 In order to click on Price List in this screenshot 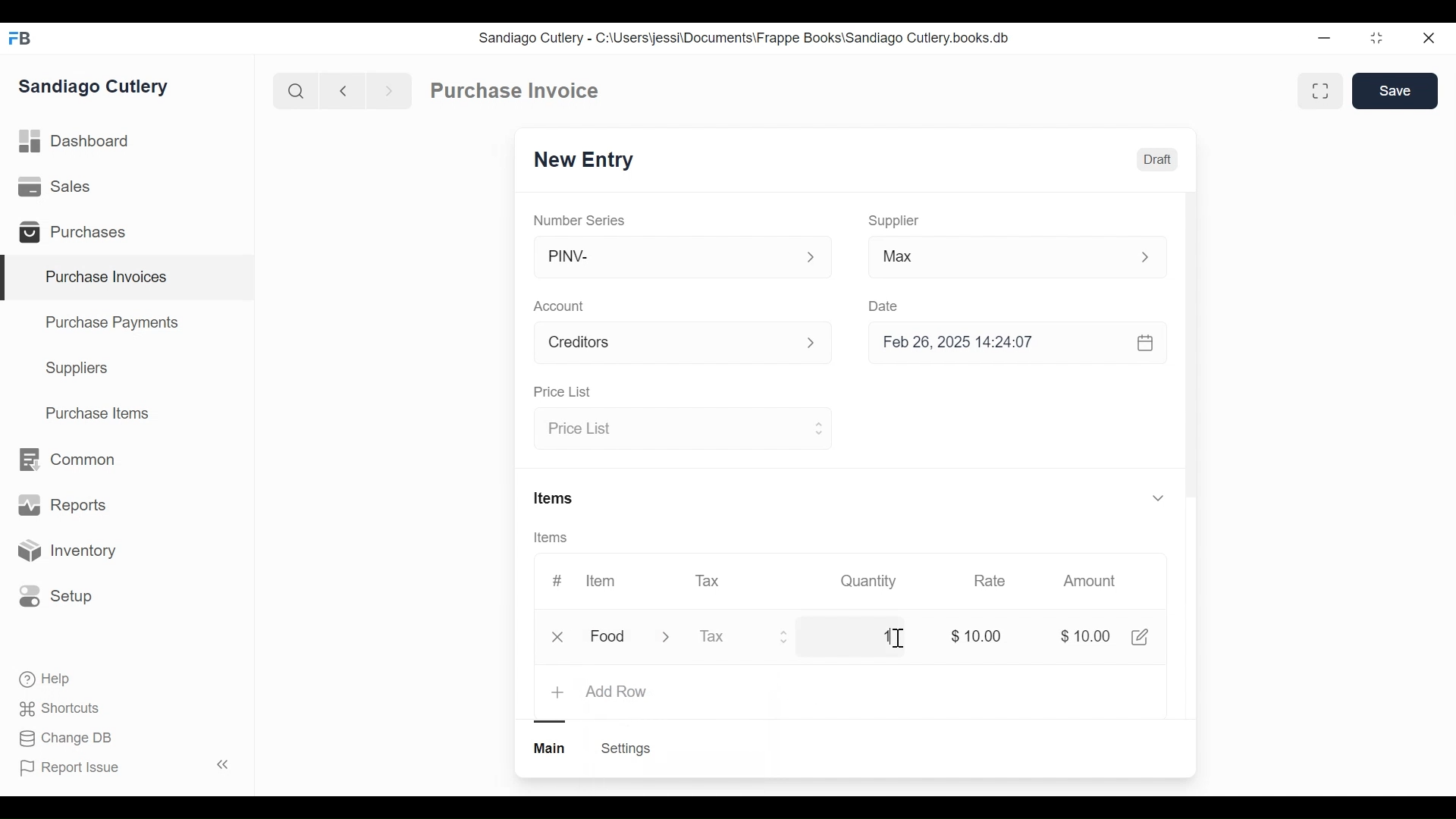, I will do `click(669, 430)`.